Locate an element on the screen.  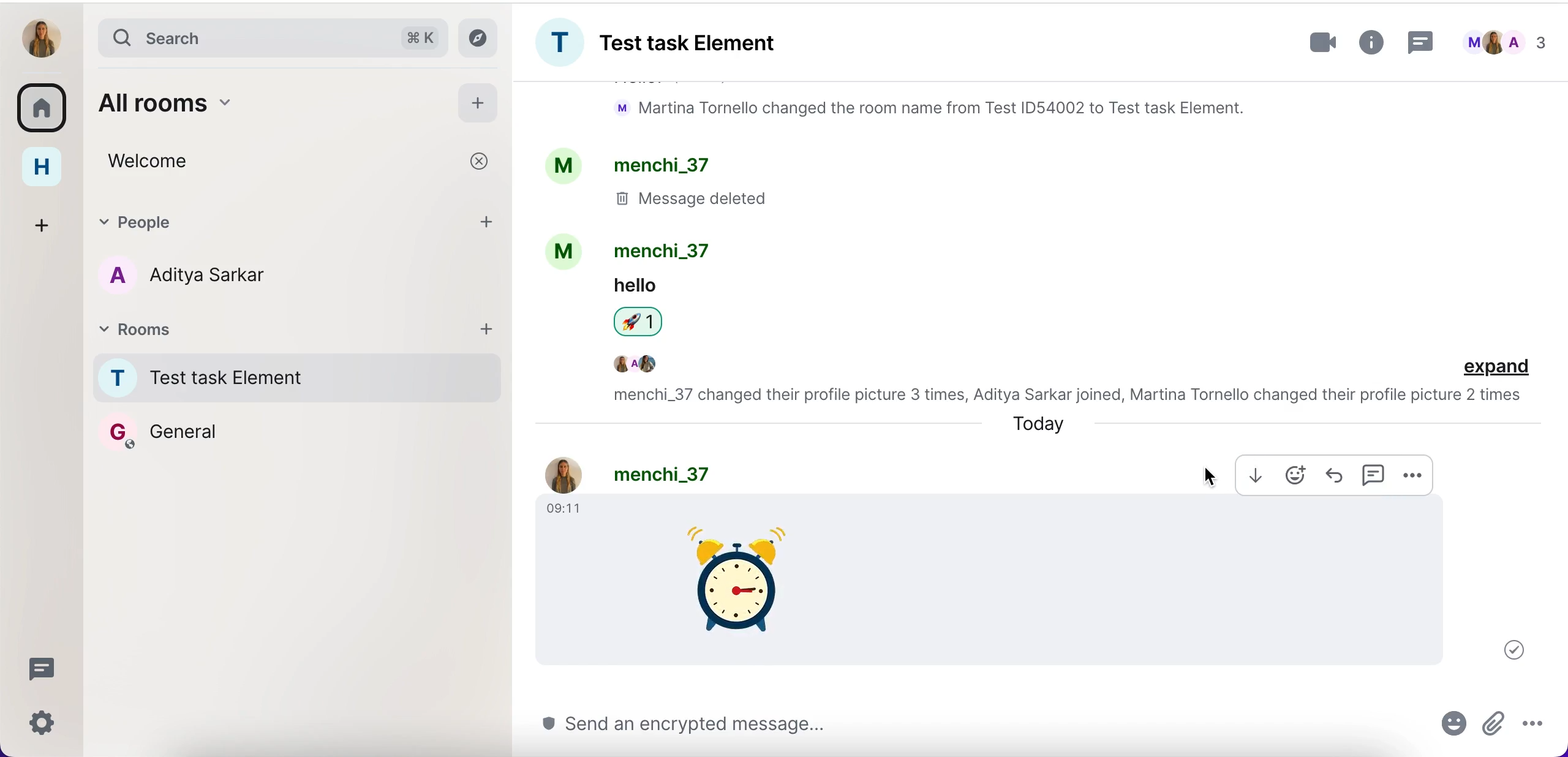
profile is located at coordinates (627, 473).